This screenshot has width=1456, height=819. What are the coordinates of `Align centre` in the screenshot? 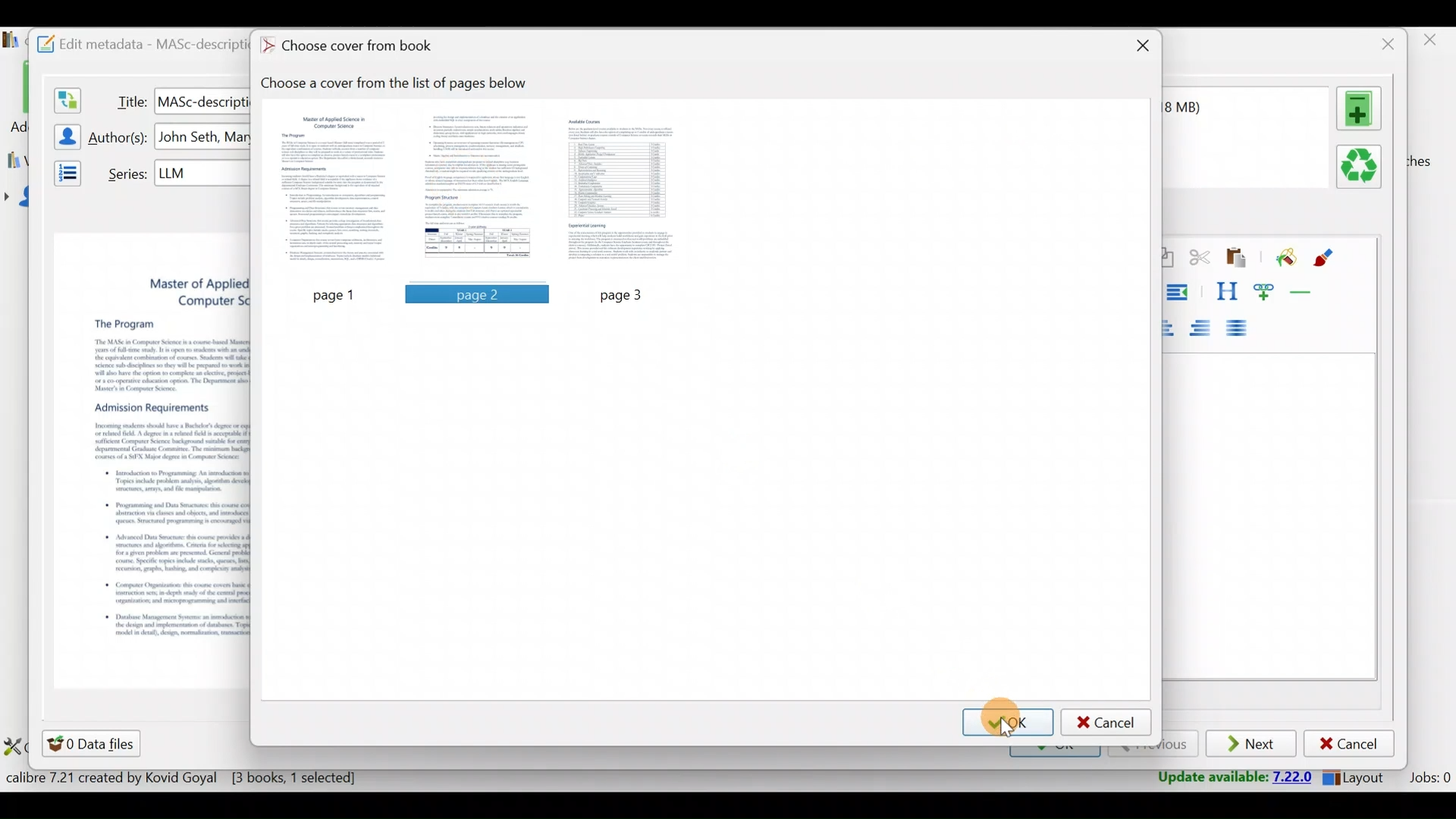 It's located at (1175, 325).